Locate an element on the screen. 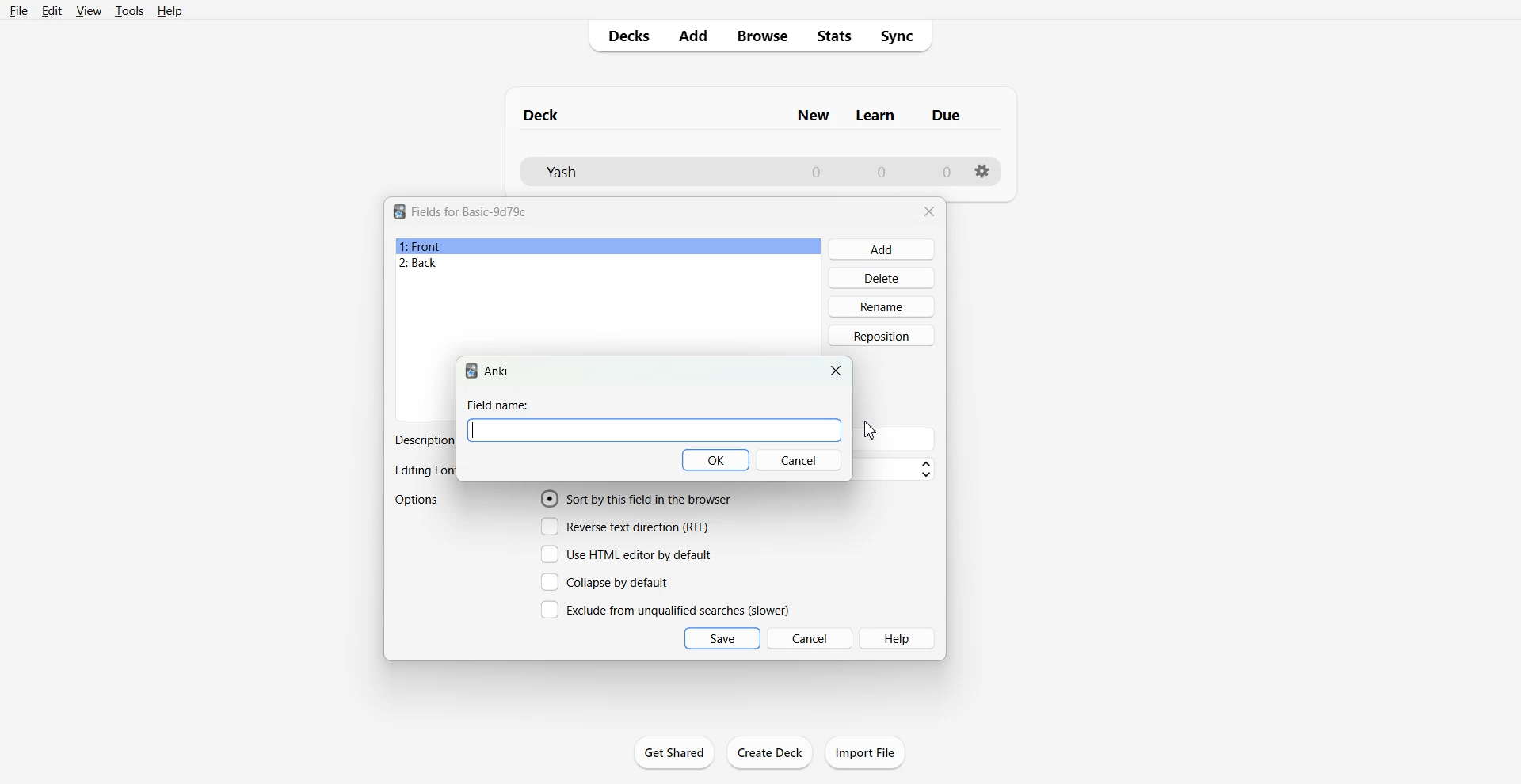  Back is located at coordinates (608, 264).